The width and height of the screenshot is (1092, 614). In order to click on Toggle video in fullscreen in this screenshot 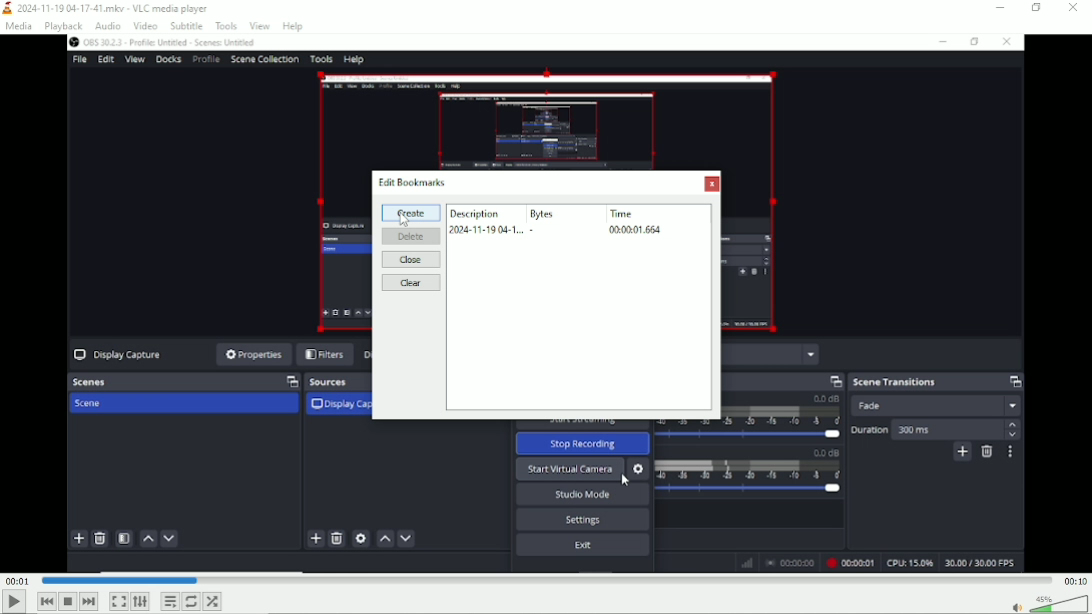, I will do `click(119, 601)`.